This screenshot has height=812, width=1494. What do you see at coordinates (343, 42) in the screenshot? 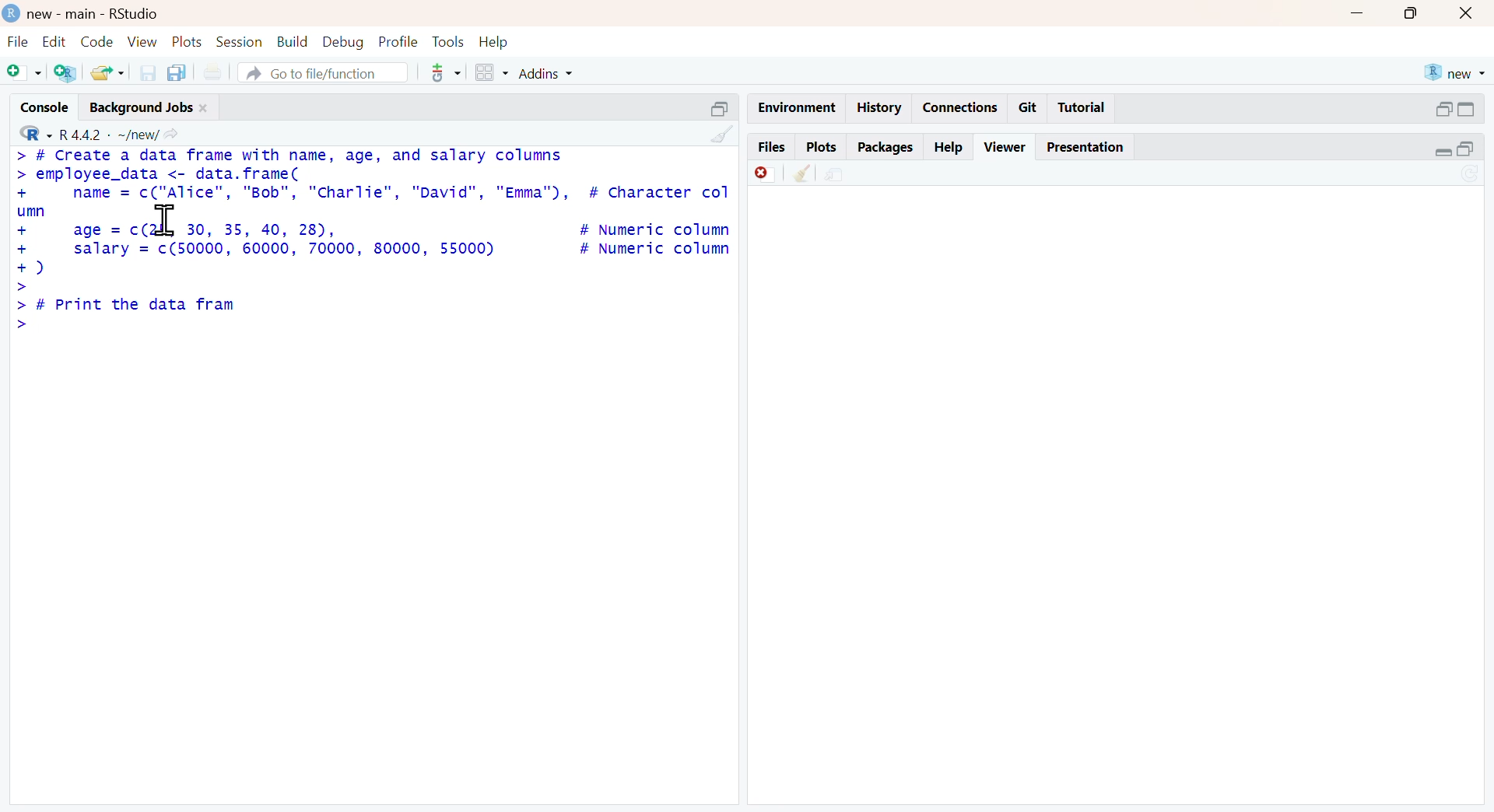
I see `Debug` at bounding box center [343, 42].